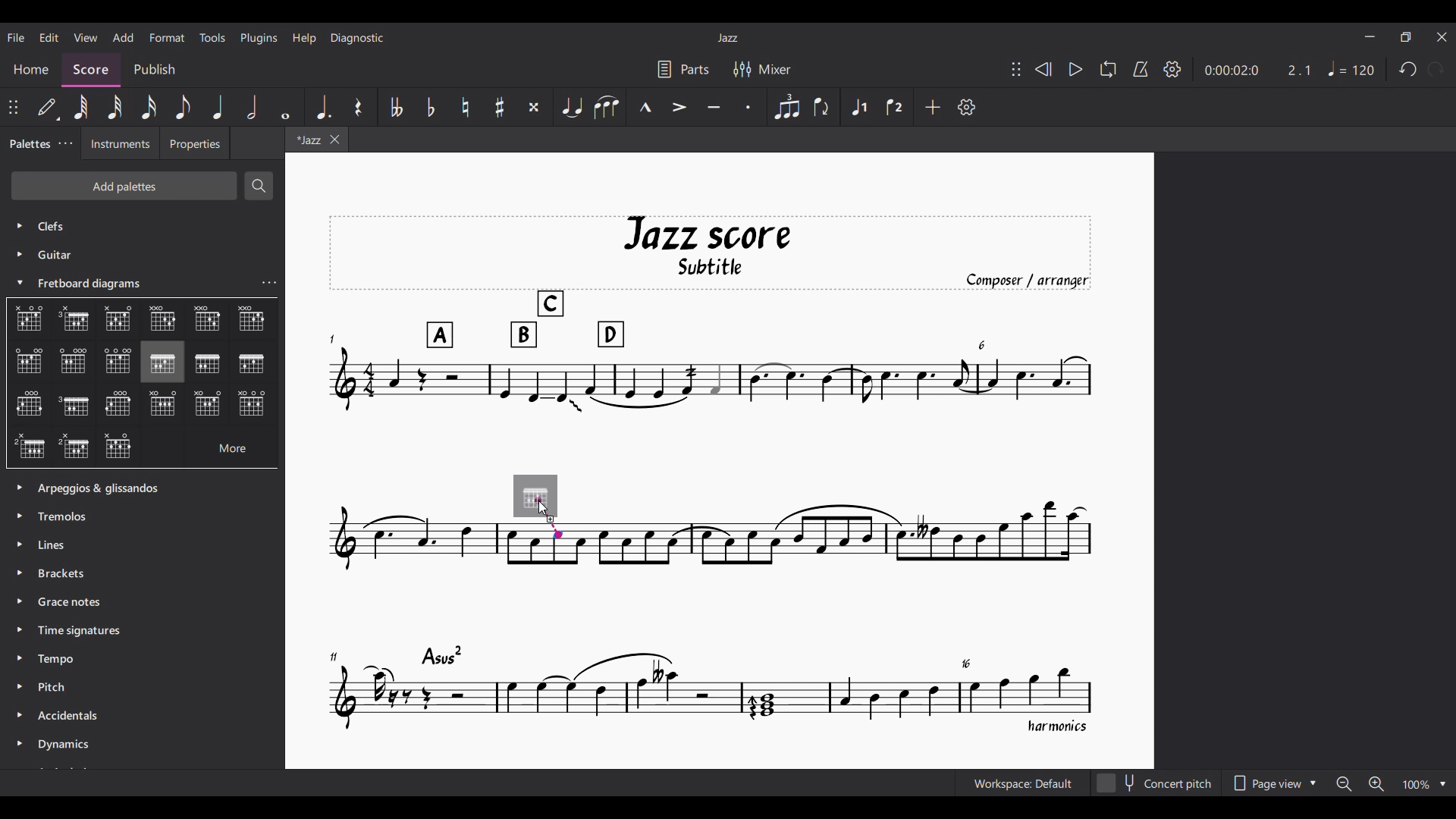  What do you see at coordinates (63, 661) in the screenshot?
I see `Tempo` at bounding box center [63, 661].